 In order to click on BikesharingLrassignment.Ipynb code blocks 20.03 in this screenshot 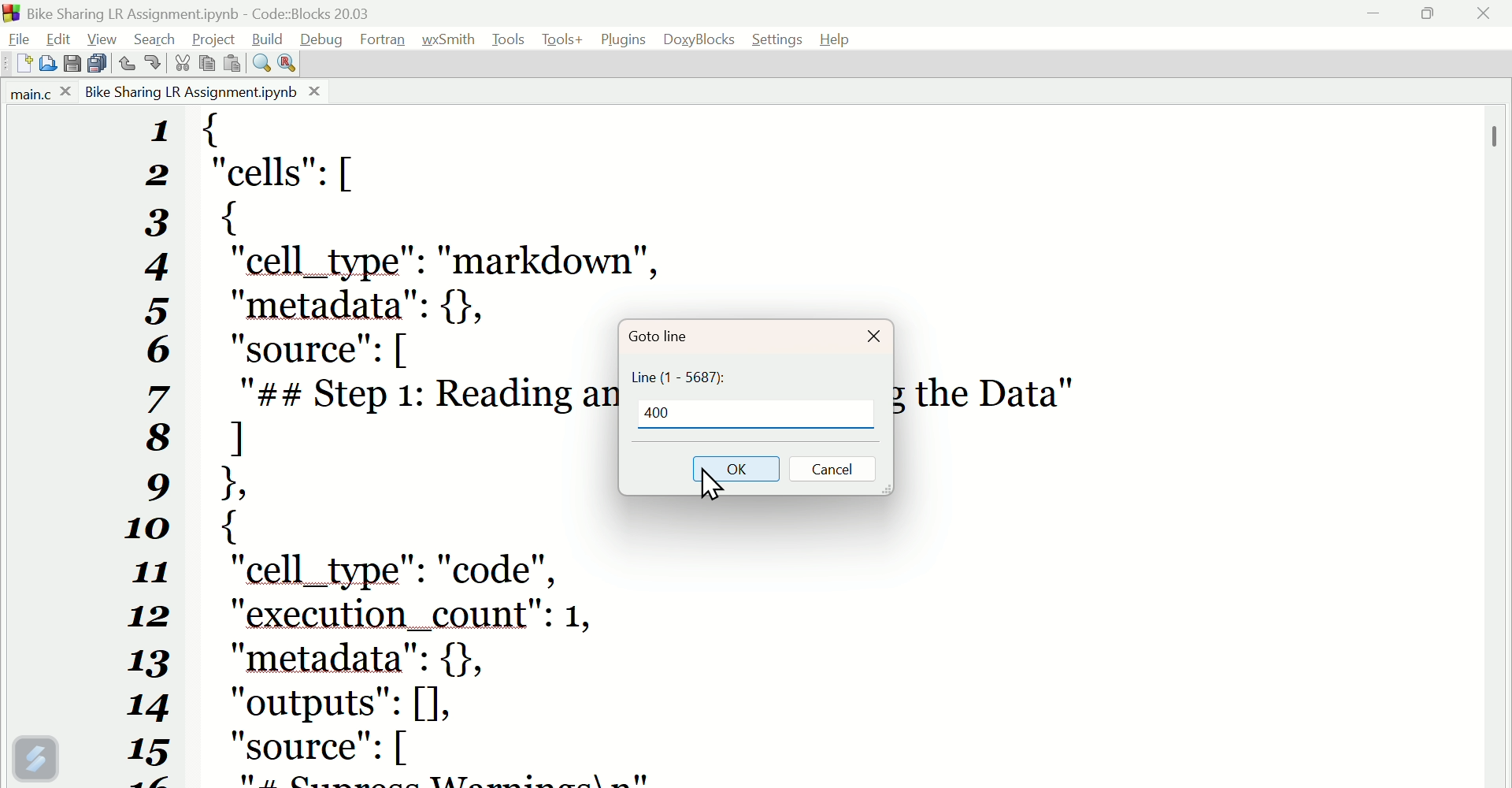, I will do `click(231, 11)`.